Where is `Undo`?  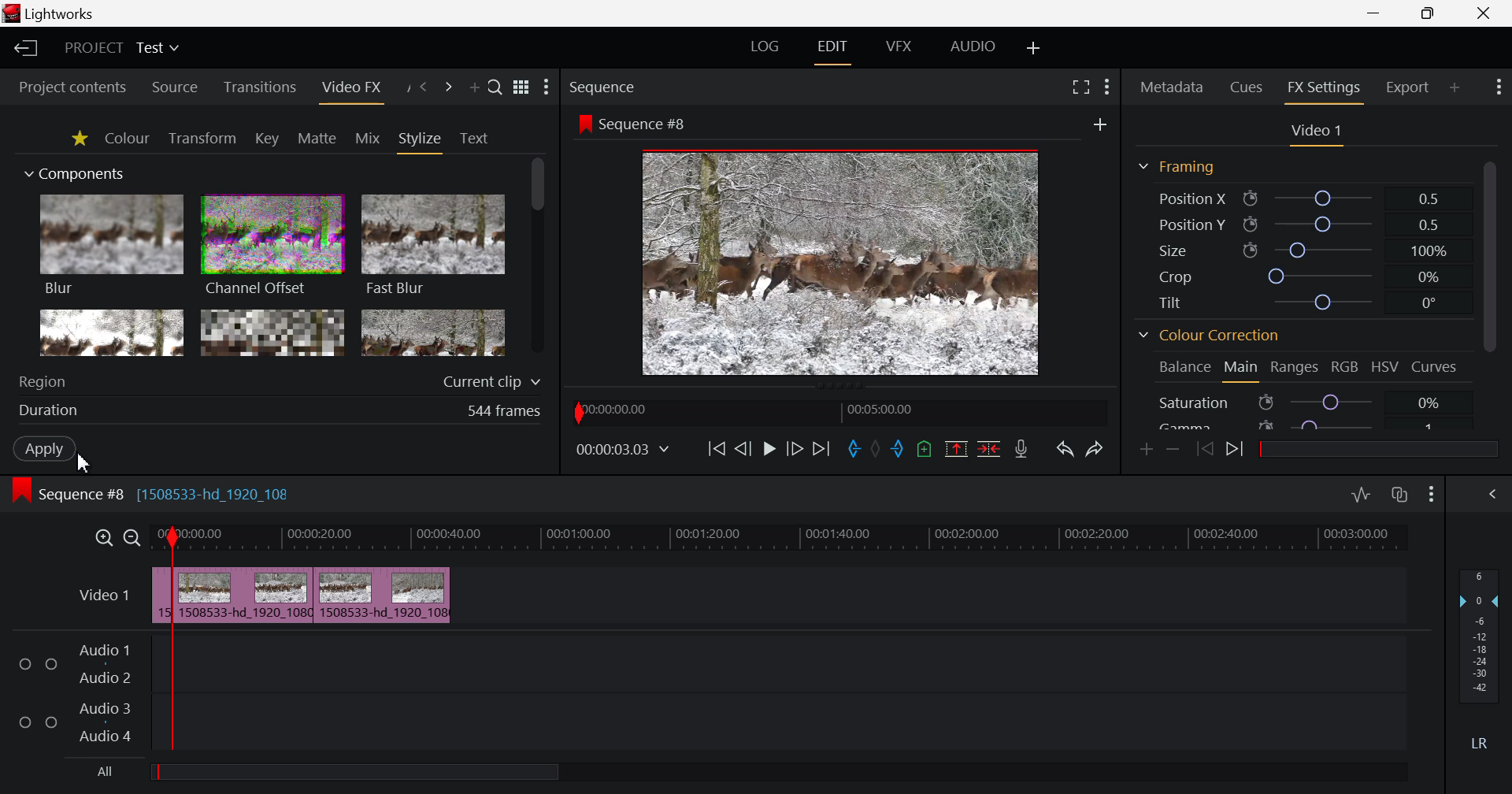 Undo is located at coordinates (1065, 451).